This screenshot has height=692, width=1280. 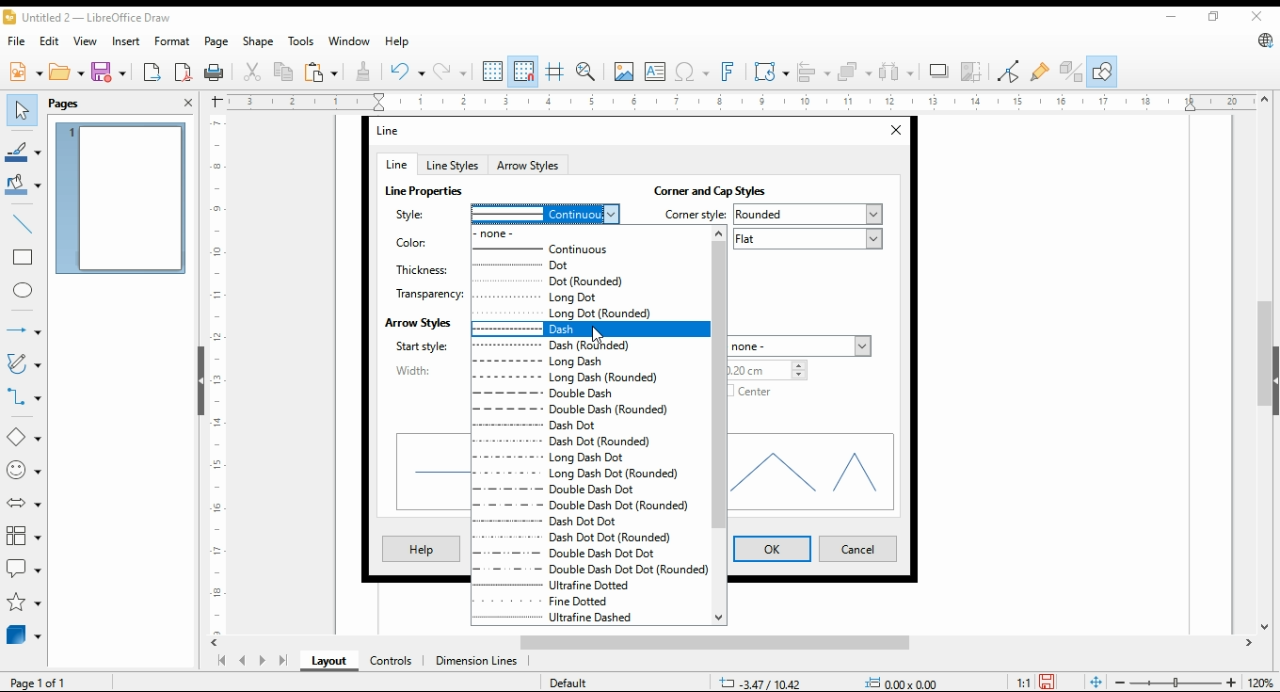 I want to click on toggle point edit mode, so click(x=1009, y=71).